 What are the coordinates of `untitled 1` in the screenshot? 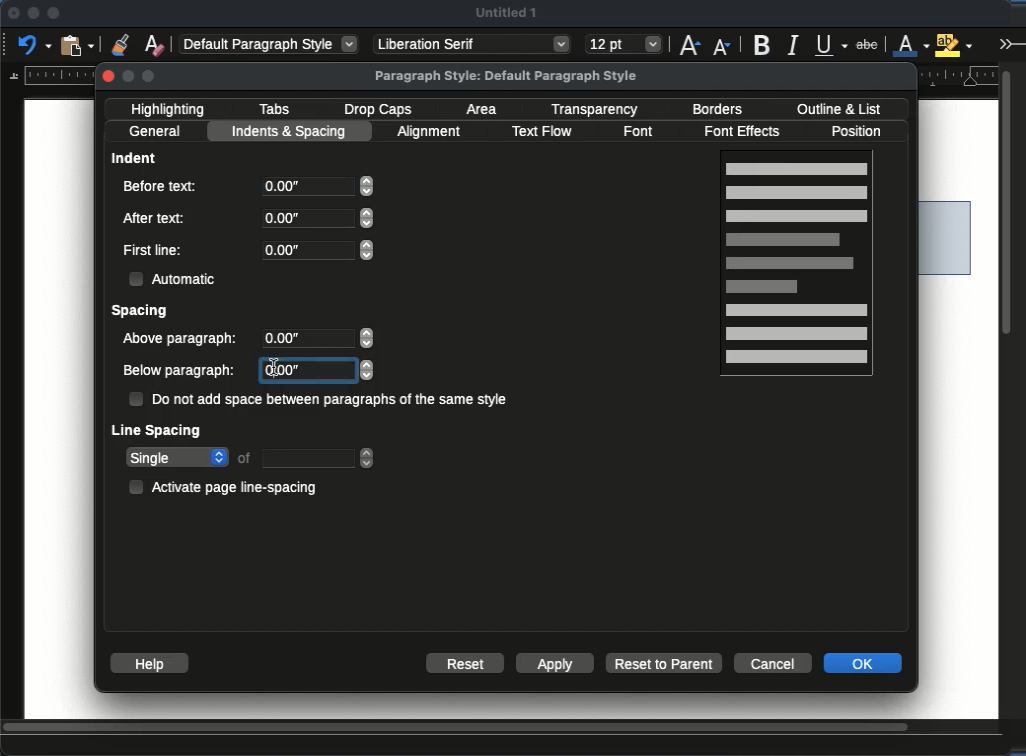 It's located at (506, 12).